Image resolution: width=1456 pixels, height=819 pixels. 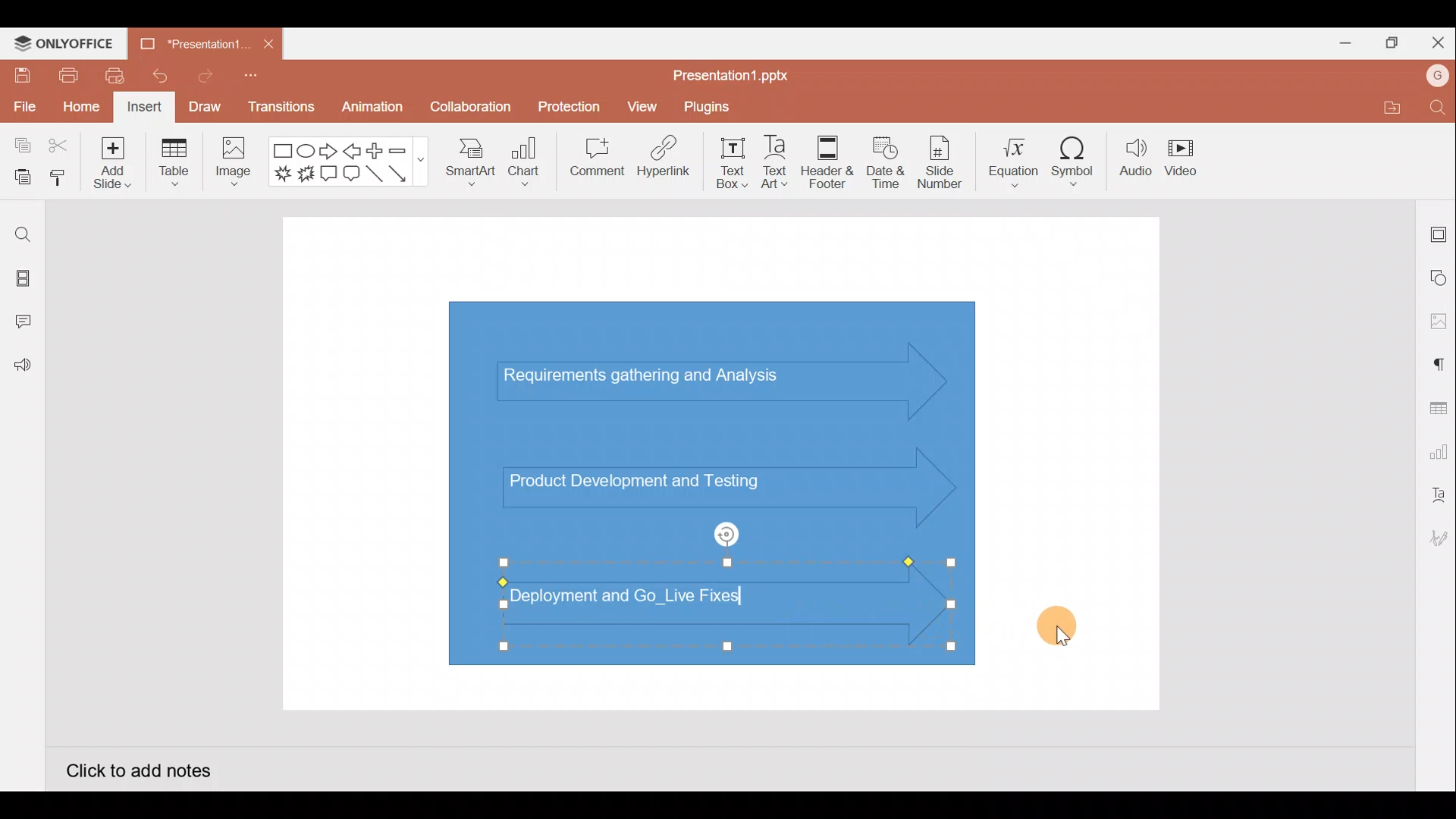 What do you see at coordinates (23, 234) in the screenshot?
I see `Find` at bounding box center [23, 234].